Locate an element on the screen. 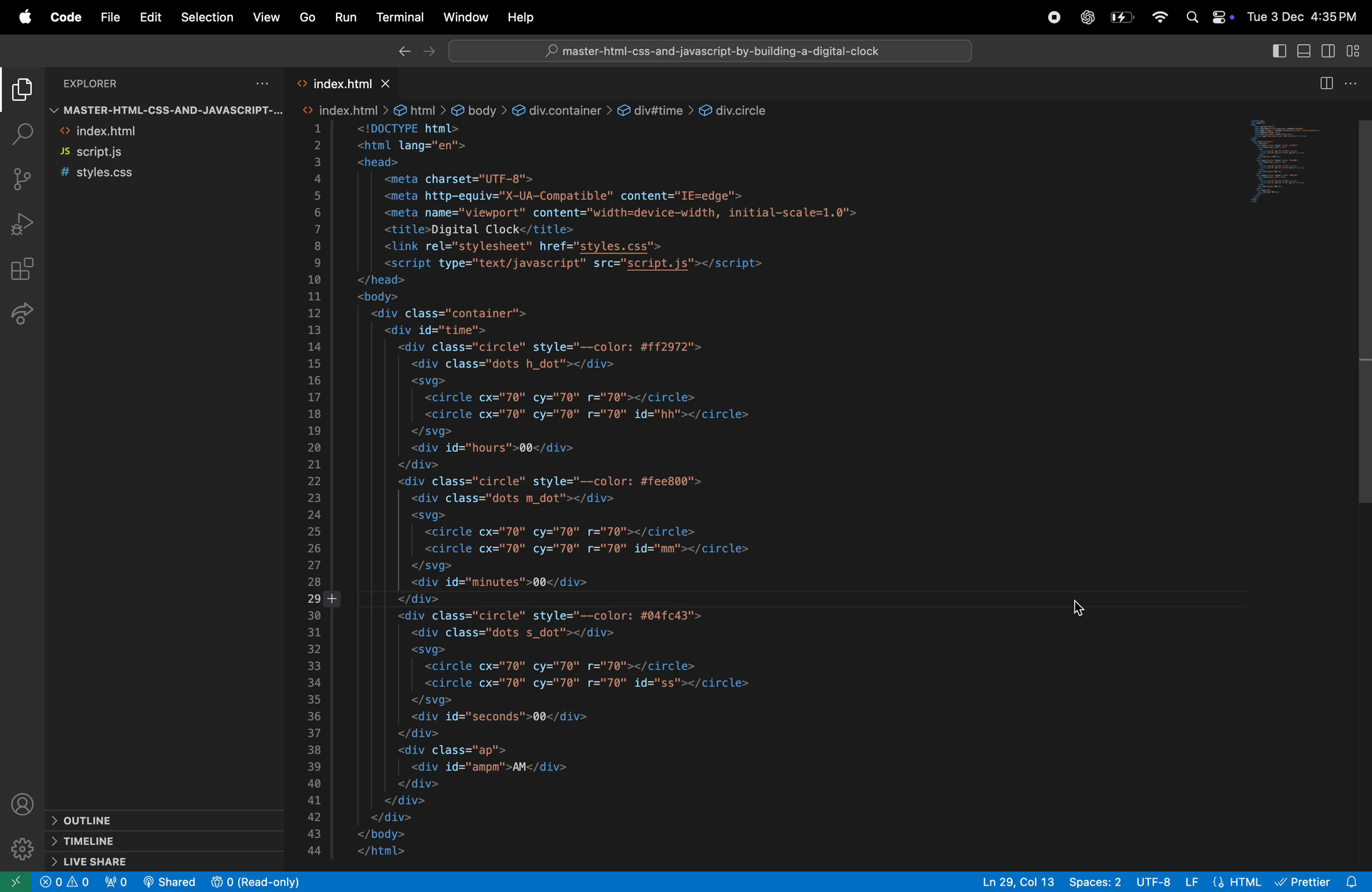 The width and height of the screenshot is (1372, 892). timeline is located at coordinates (156, 840).